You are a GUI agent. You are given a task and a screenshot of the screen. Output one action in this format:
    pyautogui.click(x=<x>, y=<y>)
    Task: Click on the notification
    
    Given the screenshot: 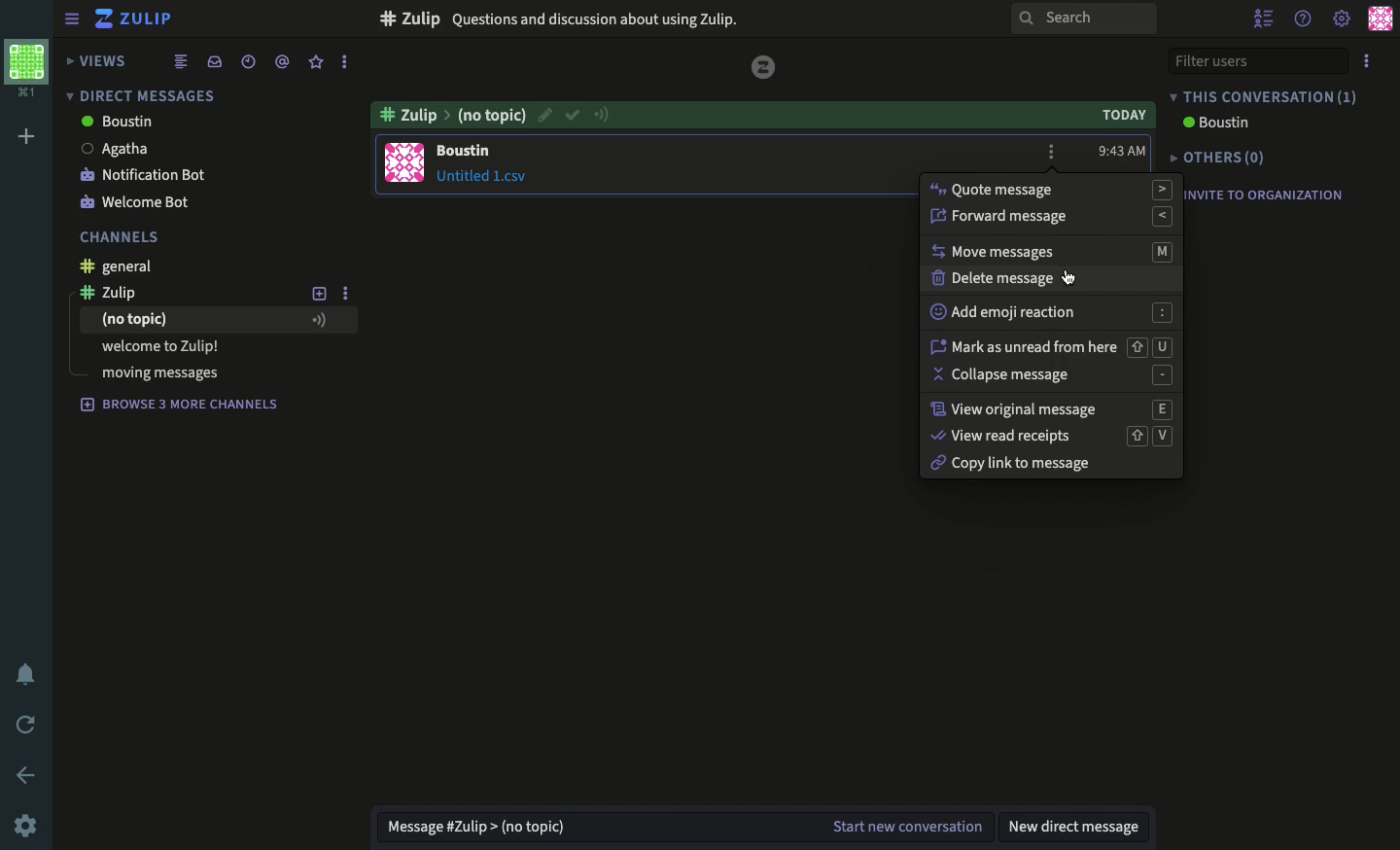 What is the action you would take?
    pyautogui.click(x=25, y=672)
    